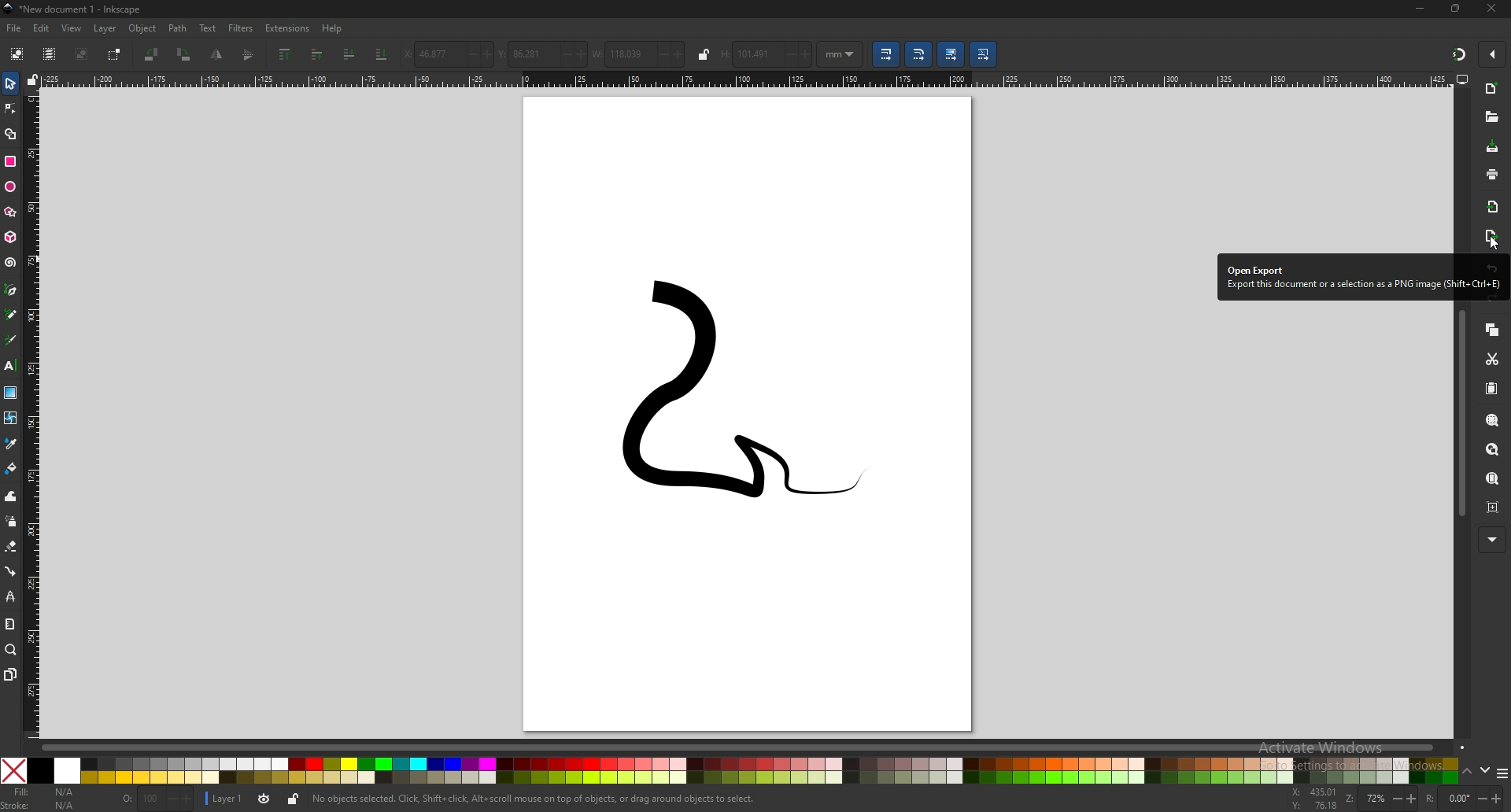  I want to click on ellipse, so click(10, 187).